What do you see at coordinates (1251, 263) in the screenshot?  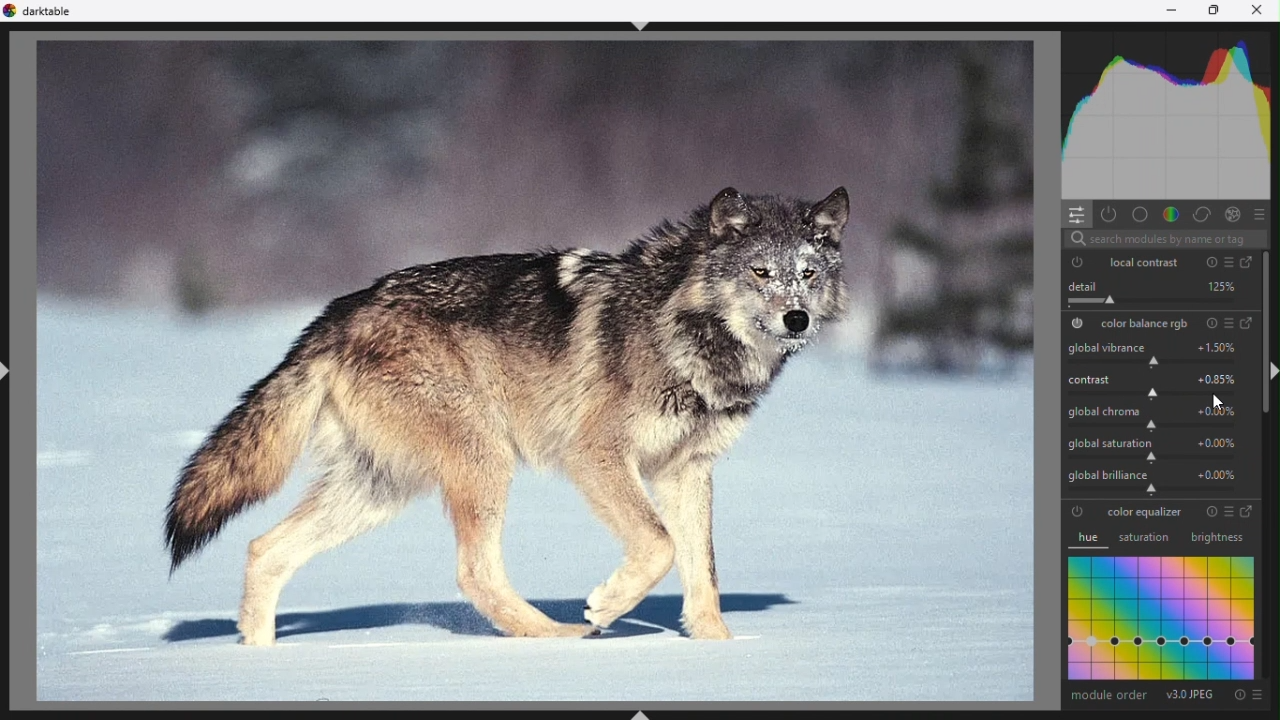 I see `go to full version of local contrasst` at bounding box center [1251, 263].